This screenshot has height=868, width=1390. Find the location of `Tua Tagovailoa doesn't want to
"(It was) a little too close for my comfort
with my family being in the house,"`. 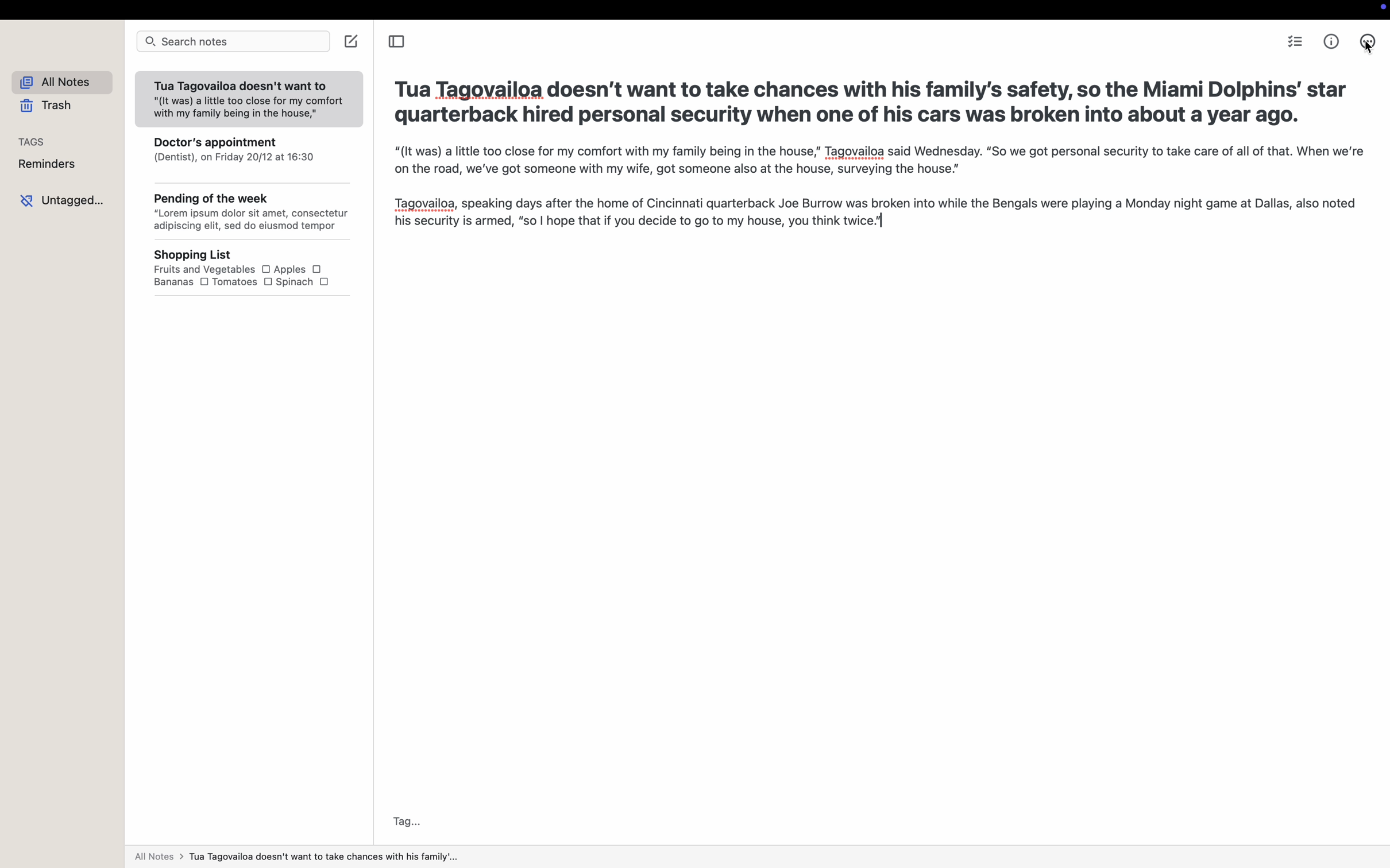

Tua Tagovailoa doesn't want to
"(It was) a little too close for my comfort
with my family being in the house," is located at coordinates (247, 100).